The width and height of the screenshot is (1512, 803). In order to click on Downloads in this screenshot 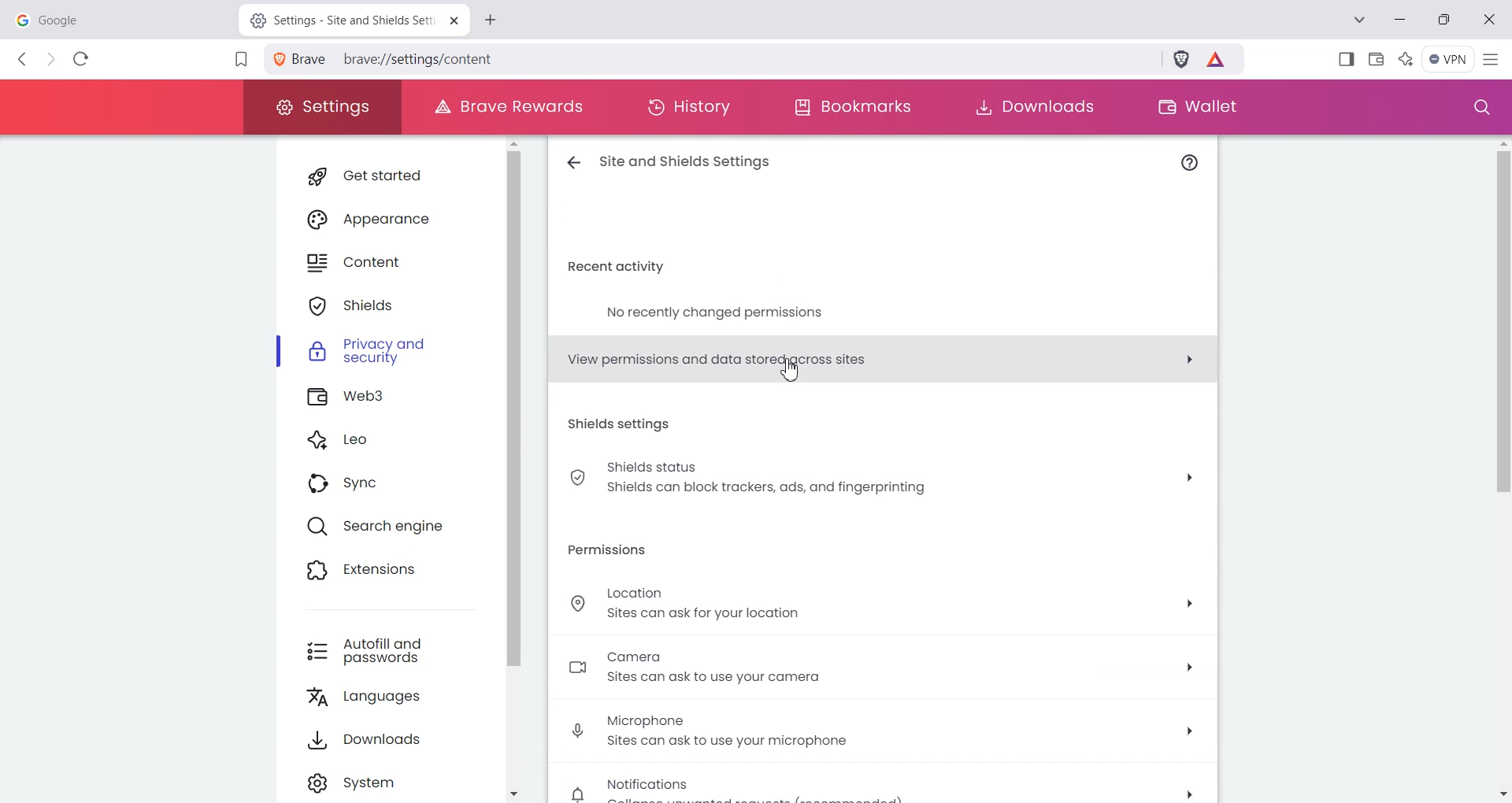, I will do `click(396, 743)`.